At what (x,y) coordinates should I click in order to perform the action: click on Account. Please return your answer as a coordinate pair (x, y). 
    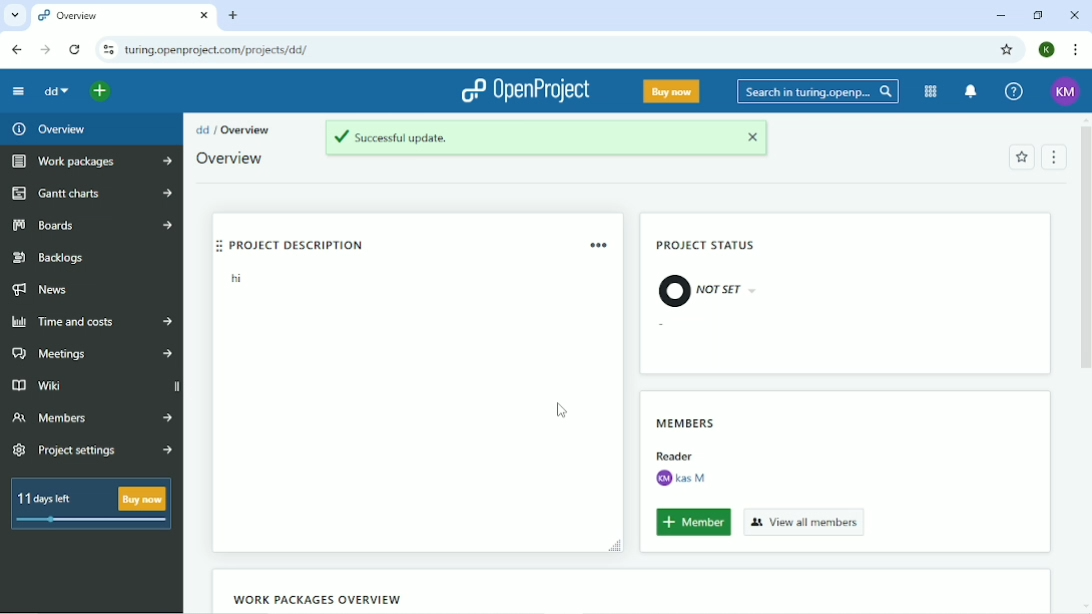
    Looking at the image, I should click on (1046, 49).